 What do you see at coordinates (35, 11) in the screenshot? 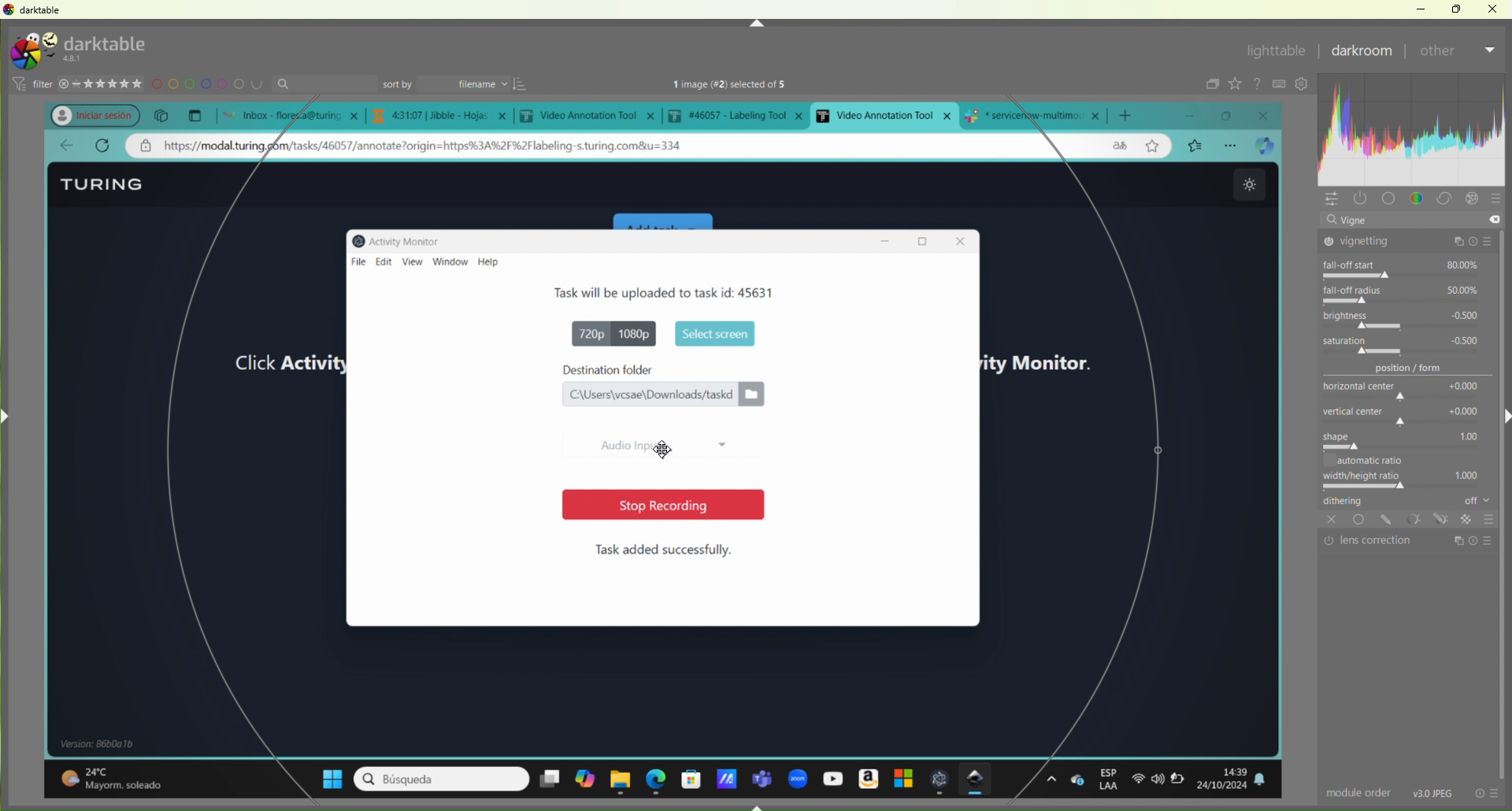
I see `darktable` at bounding box center [35, 11].